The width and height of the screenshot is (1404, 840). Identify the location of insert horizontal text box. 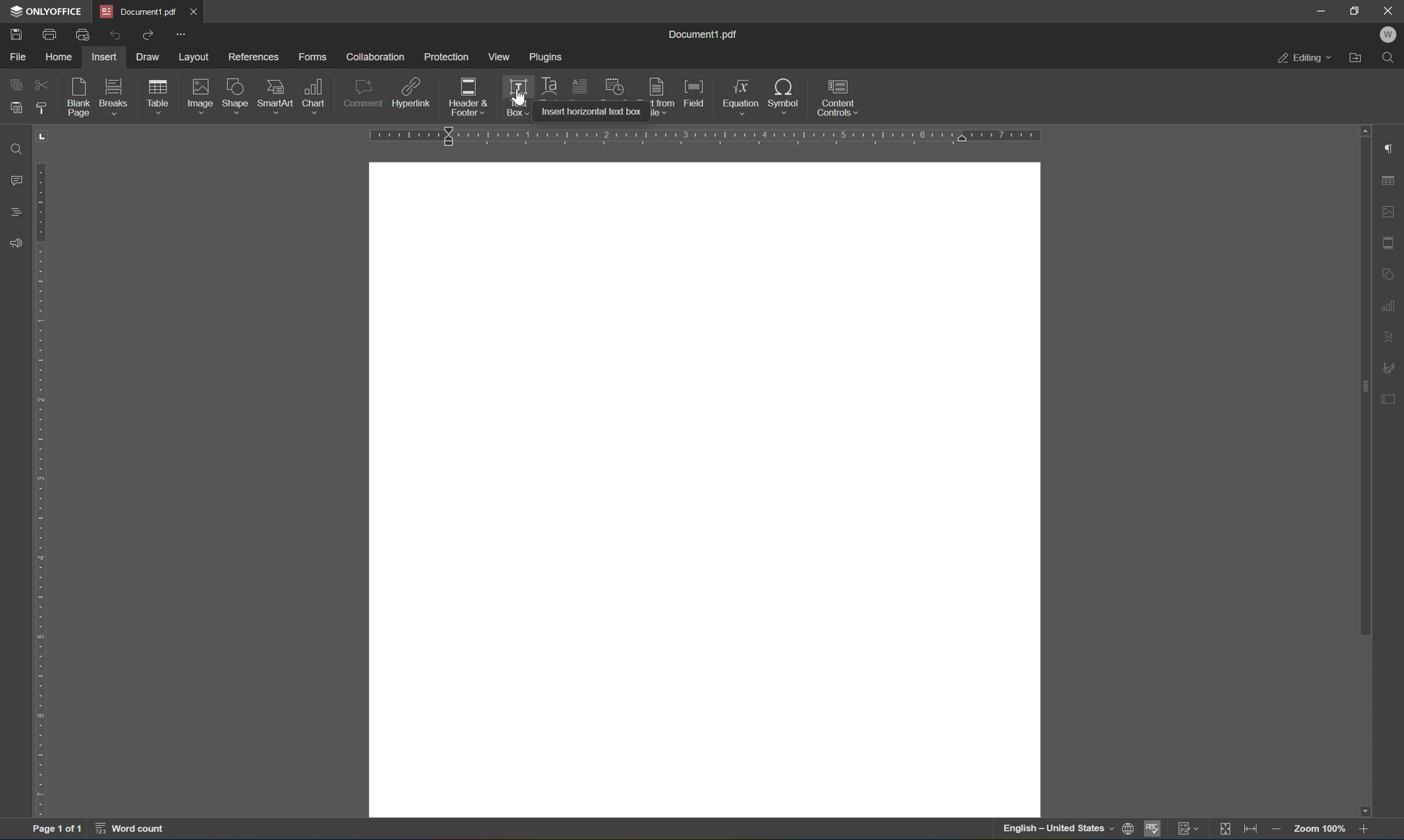
(590, 111).